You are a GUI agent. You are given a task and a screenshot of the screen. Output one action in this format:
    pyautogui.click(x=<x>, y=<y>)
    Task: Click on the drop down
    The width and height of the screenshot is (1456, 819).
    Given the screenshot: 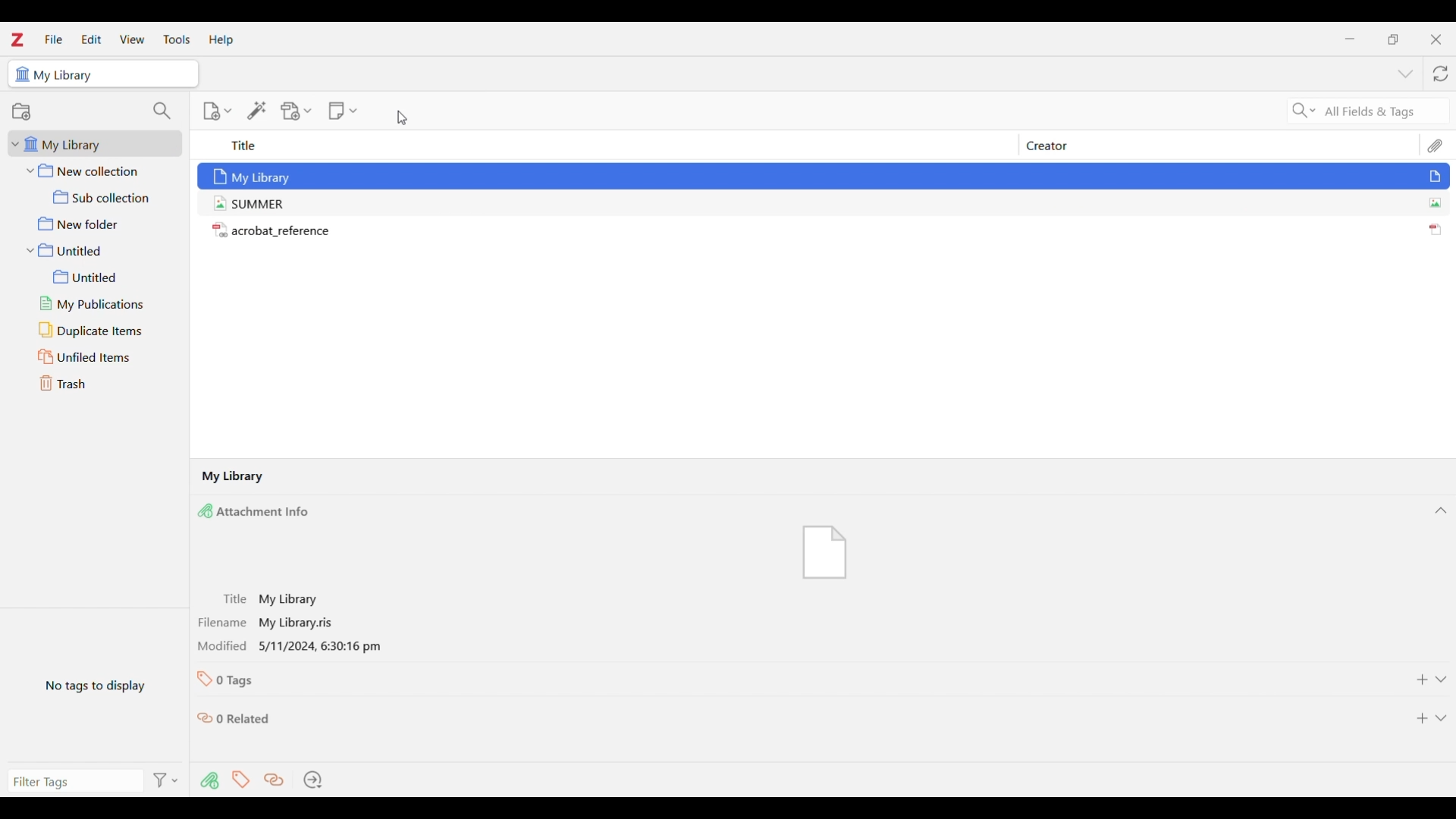 What is the action you would take?
    pyautogui.click(x=1443, y=722)
    